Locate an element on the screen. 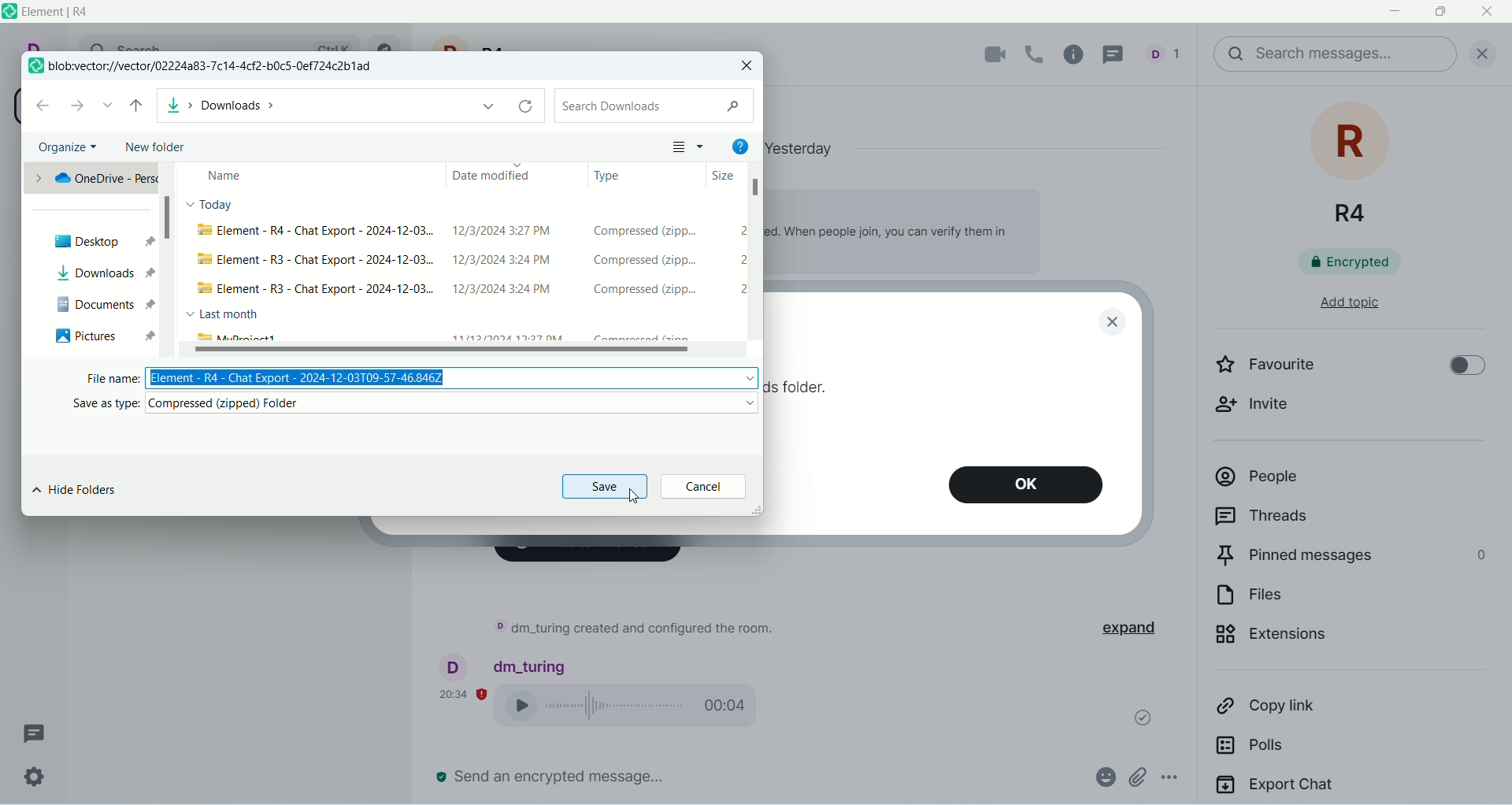 This screenshot has width=1512, height=805. file name is located at coordinates (410, 379).